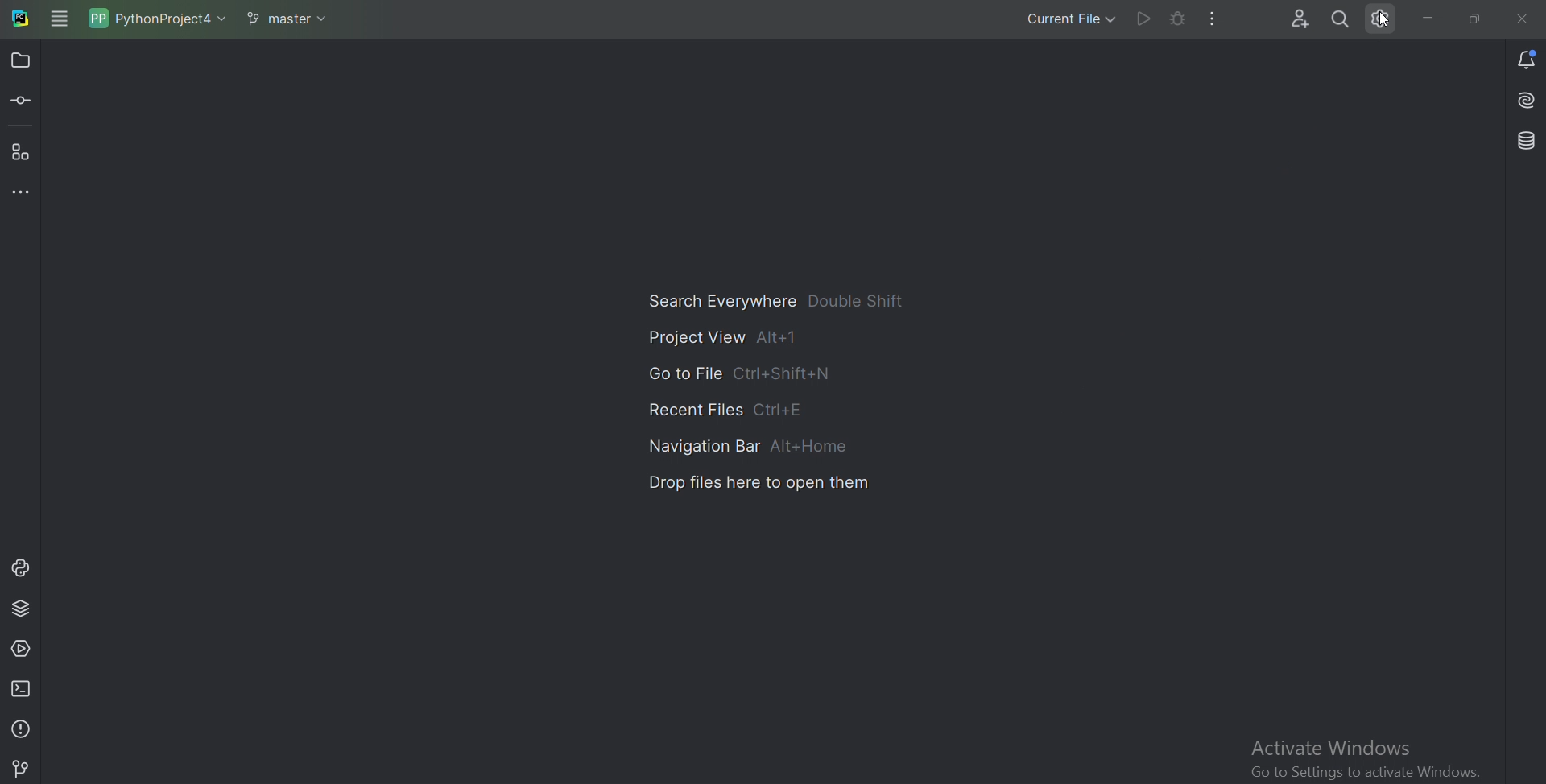 The height and width of the screenshot is (784, 1546). What do you see at coordinates (23, 61) in the screenshot?
I see `Project` at bounding box center [23, 61].